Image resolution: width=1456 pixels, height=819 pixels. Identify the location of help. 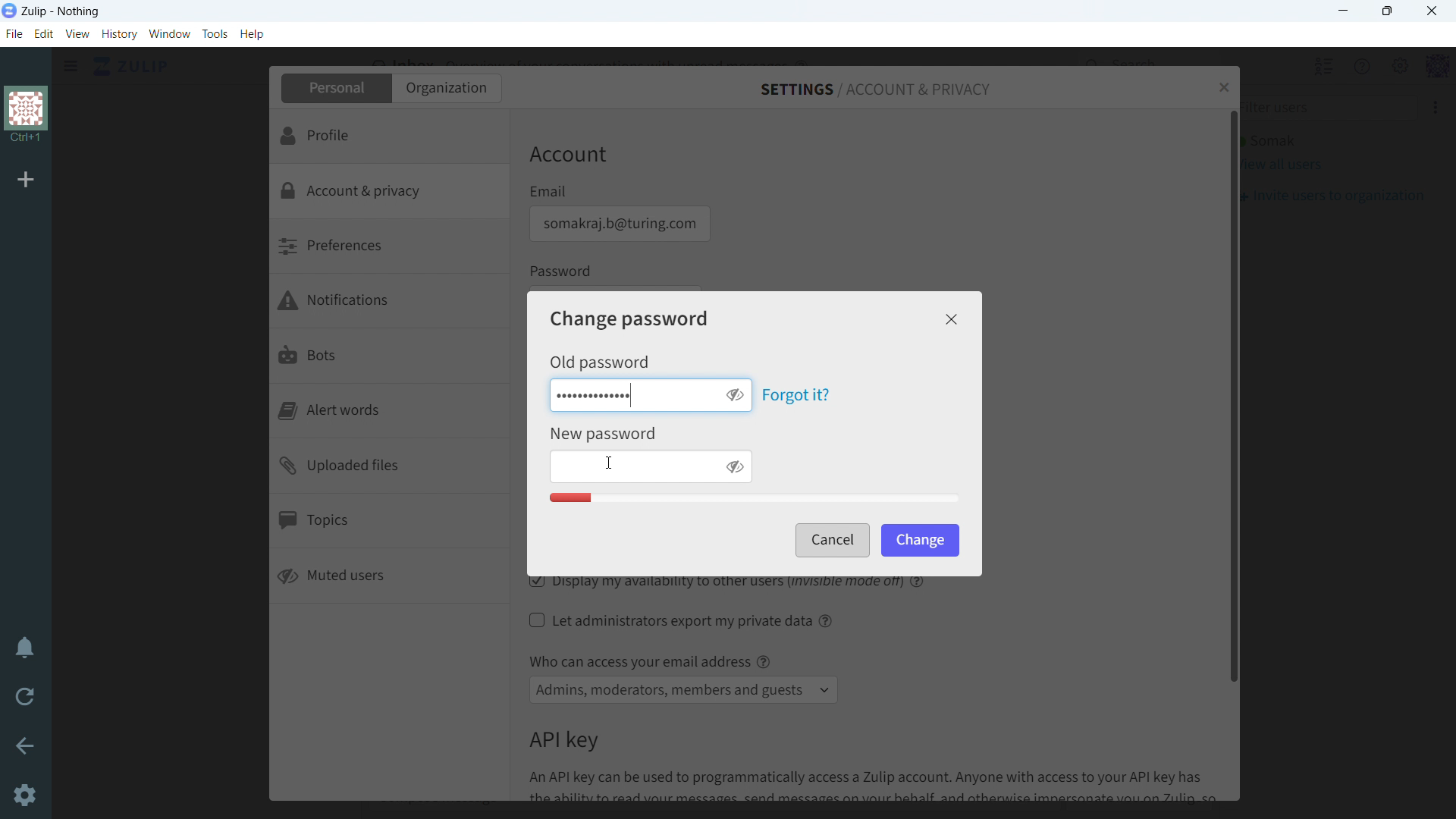
(252, 33).